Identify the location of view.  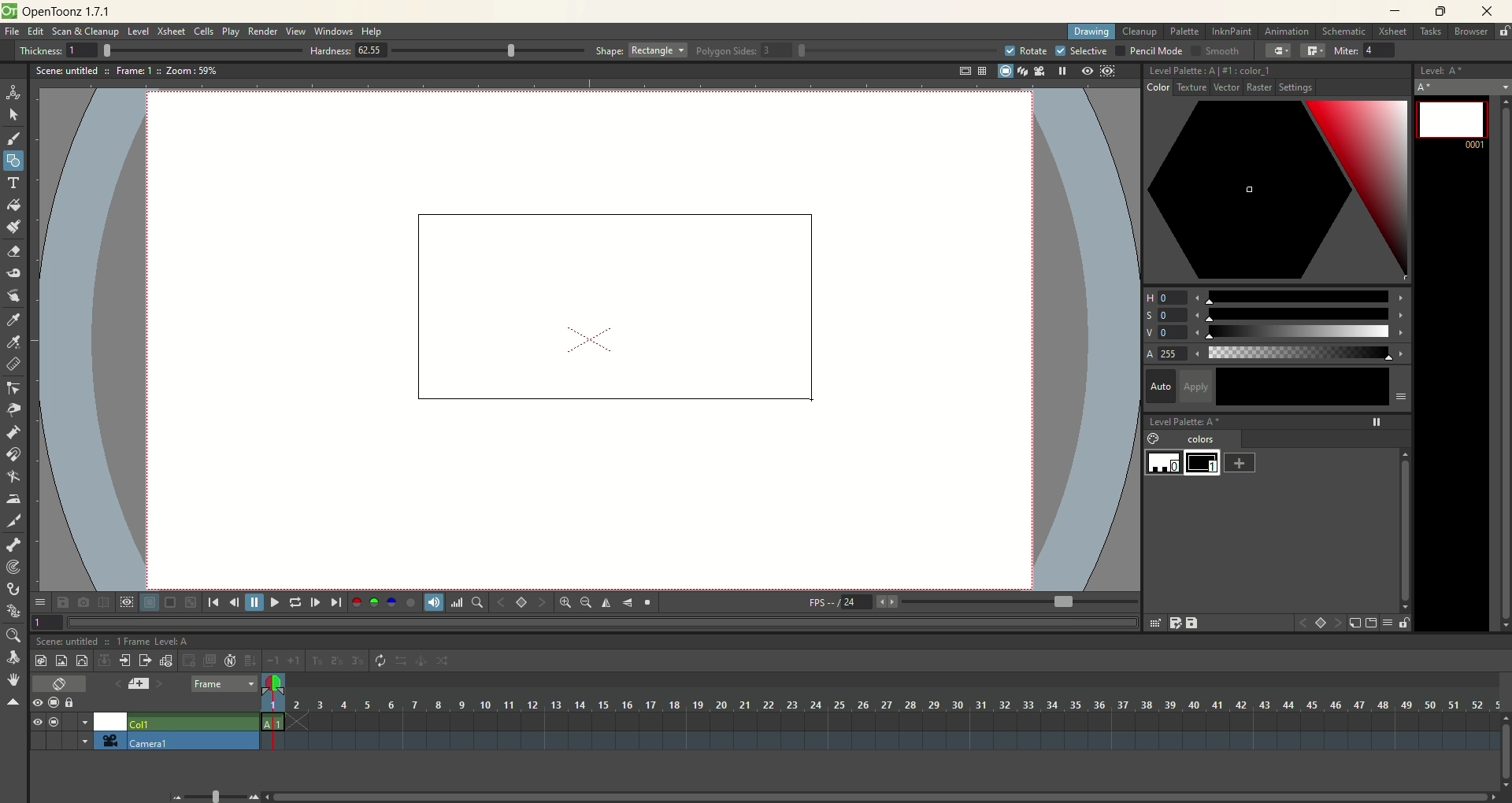
(34, 722).